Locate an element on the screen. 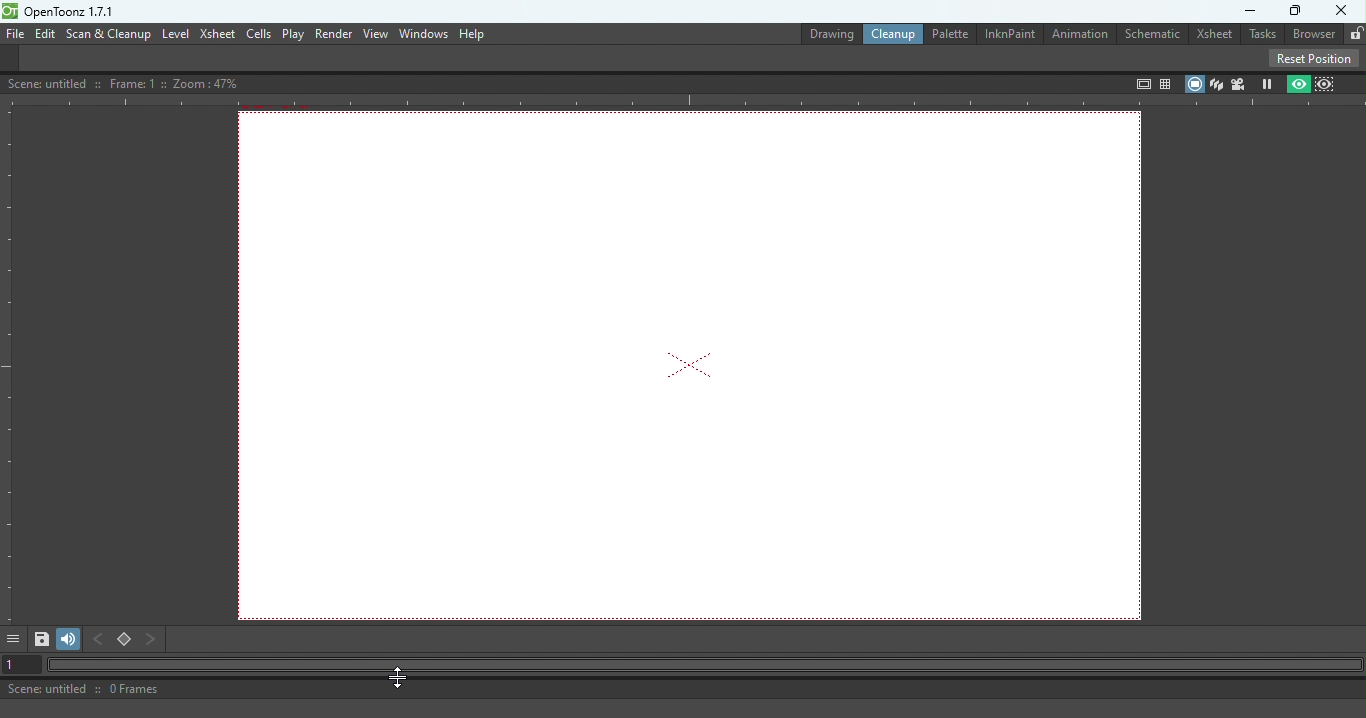  Level is located at coordinates (176, 33).